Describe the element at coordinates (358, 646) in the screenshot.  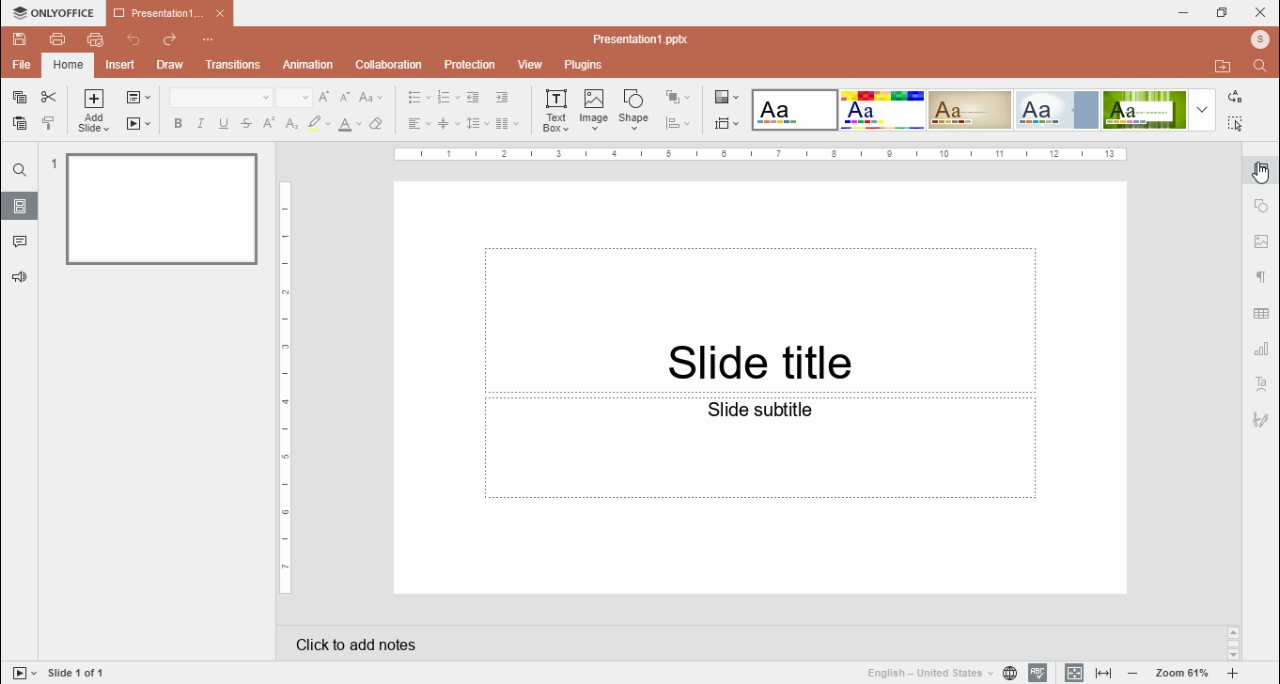
I see `click to add notes` at that location.